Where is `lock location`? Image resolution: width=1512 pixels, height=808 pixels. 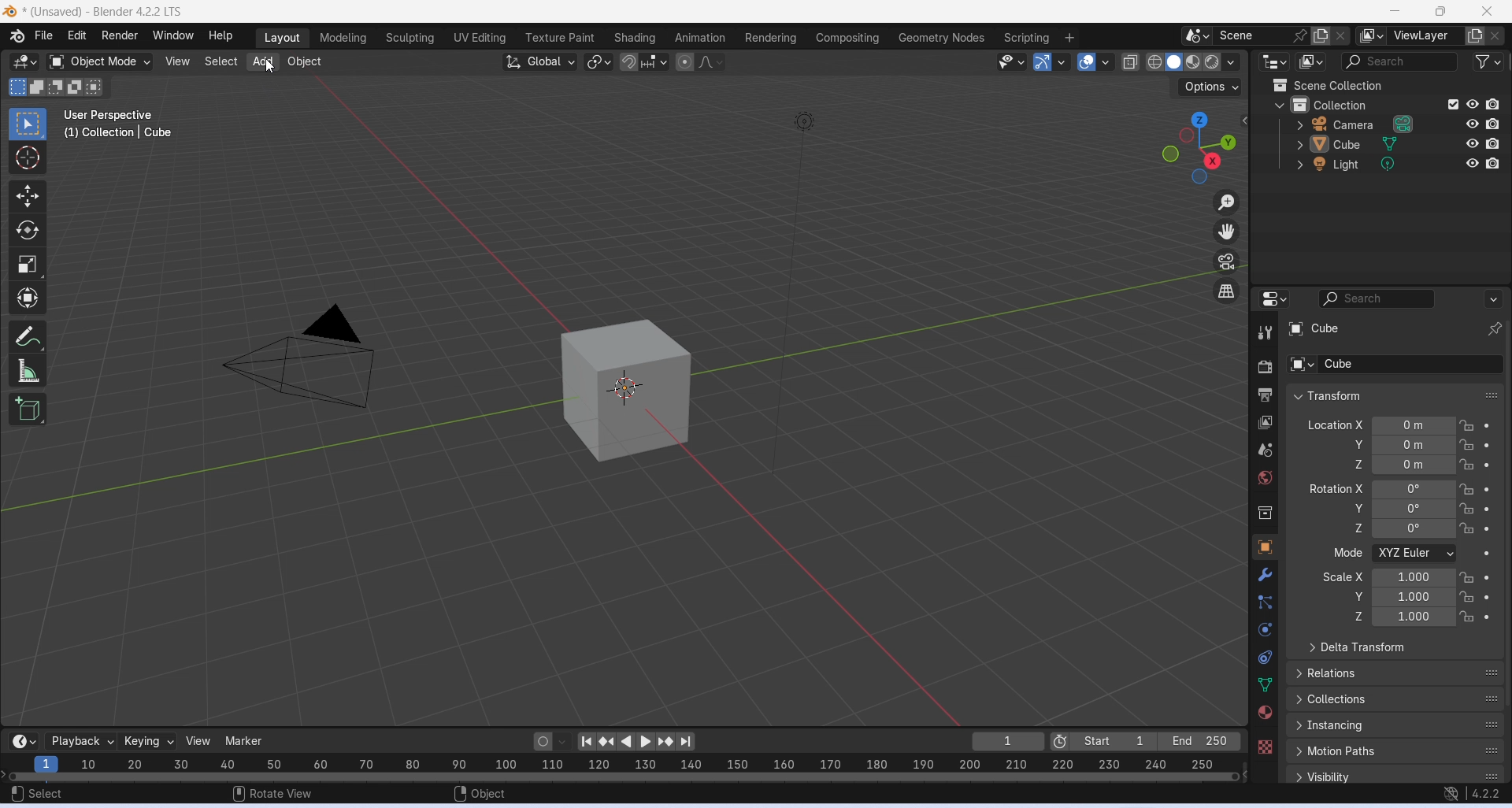 lock location is located at coordinates (1466, 445).